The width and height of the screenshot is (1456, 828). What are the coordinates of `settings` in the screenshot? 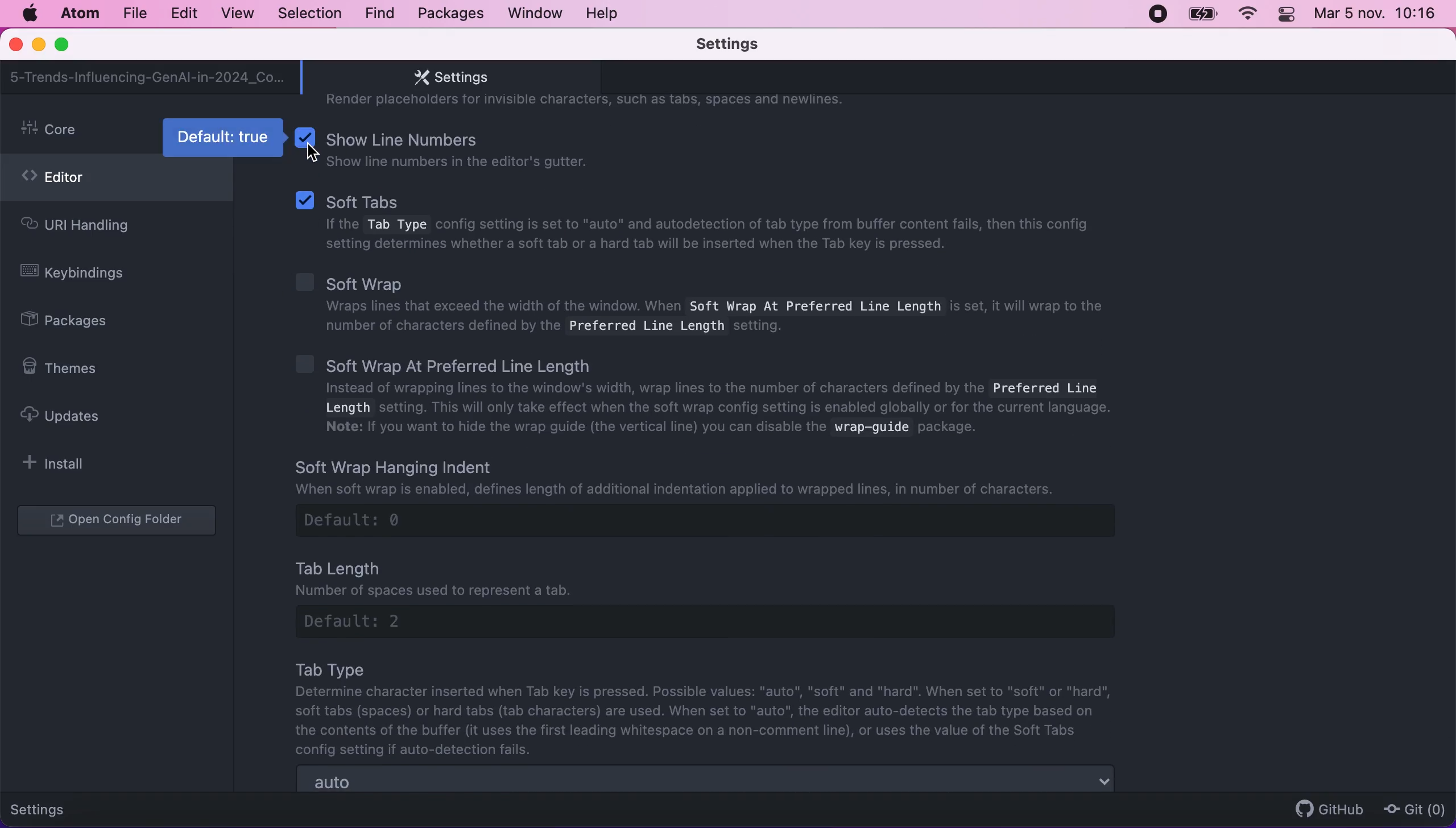 It's located at (744, 45).